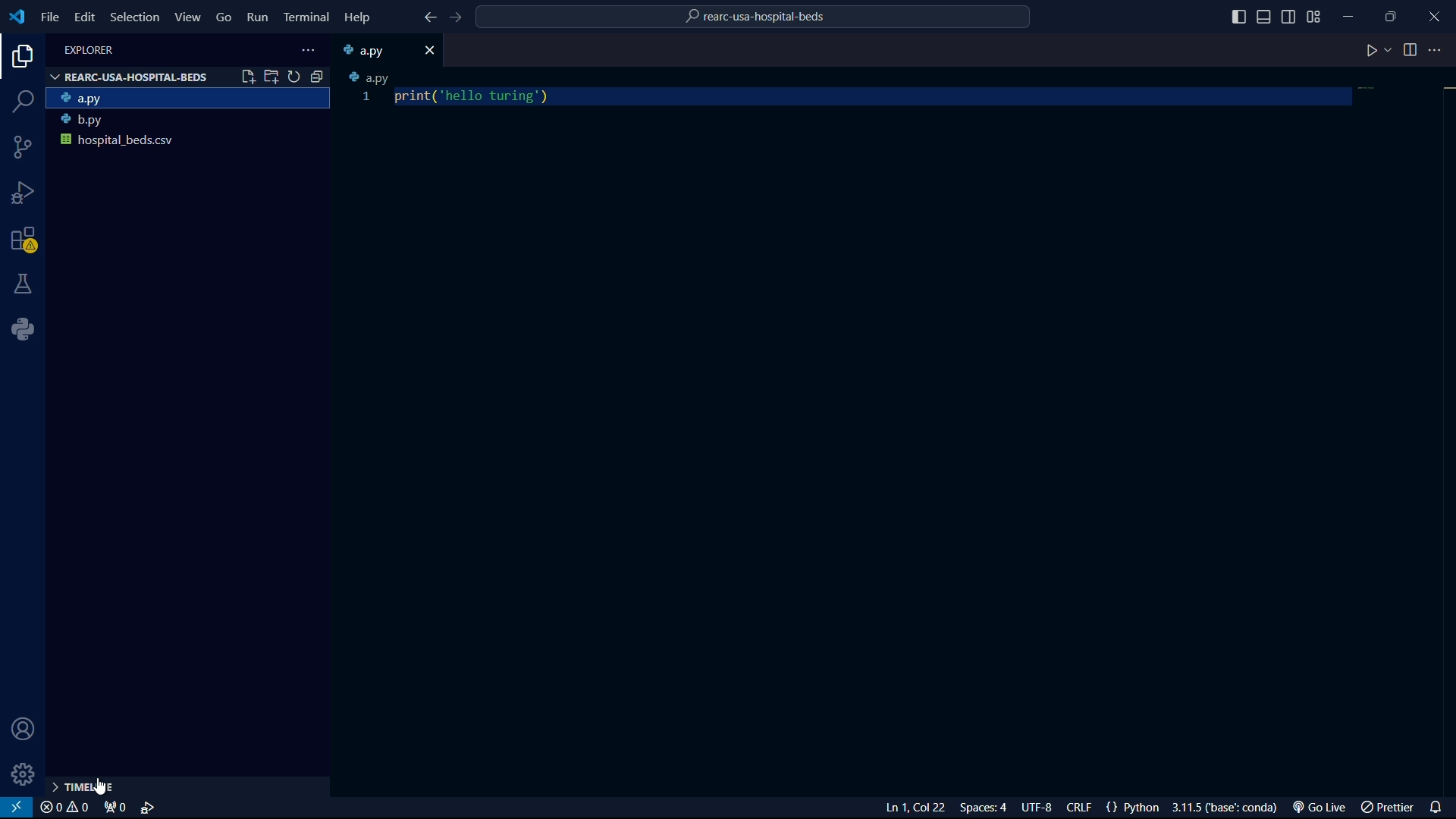  Describe the element at coordinates (49, 17) in the screenshot. I see `file menu` at that location.